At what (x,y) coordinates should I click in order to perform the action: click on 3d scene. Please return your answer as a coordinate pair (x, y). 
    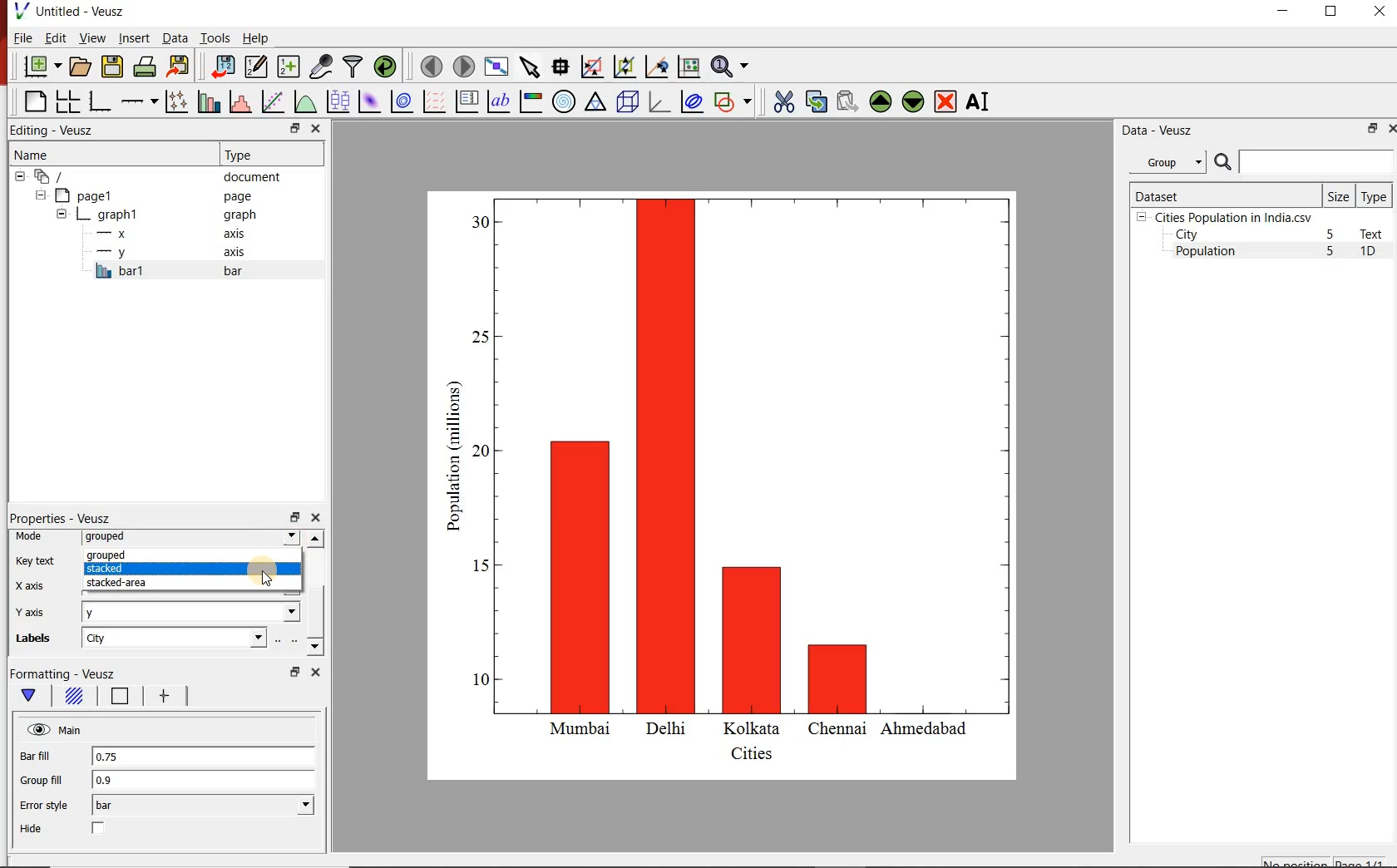
    Looking at the image, I should click on (626, 101).